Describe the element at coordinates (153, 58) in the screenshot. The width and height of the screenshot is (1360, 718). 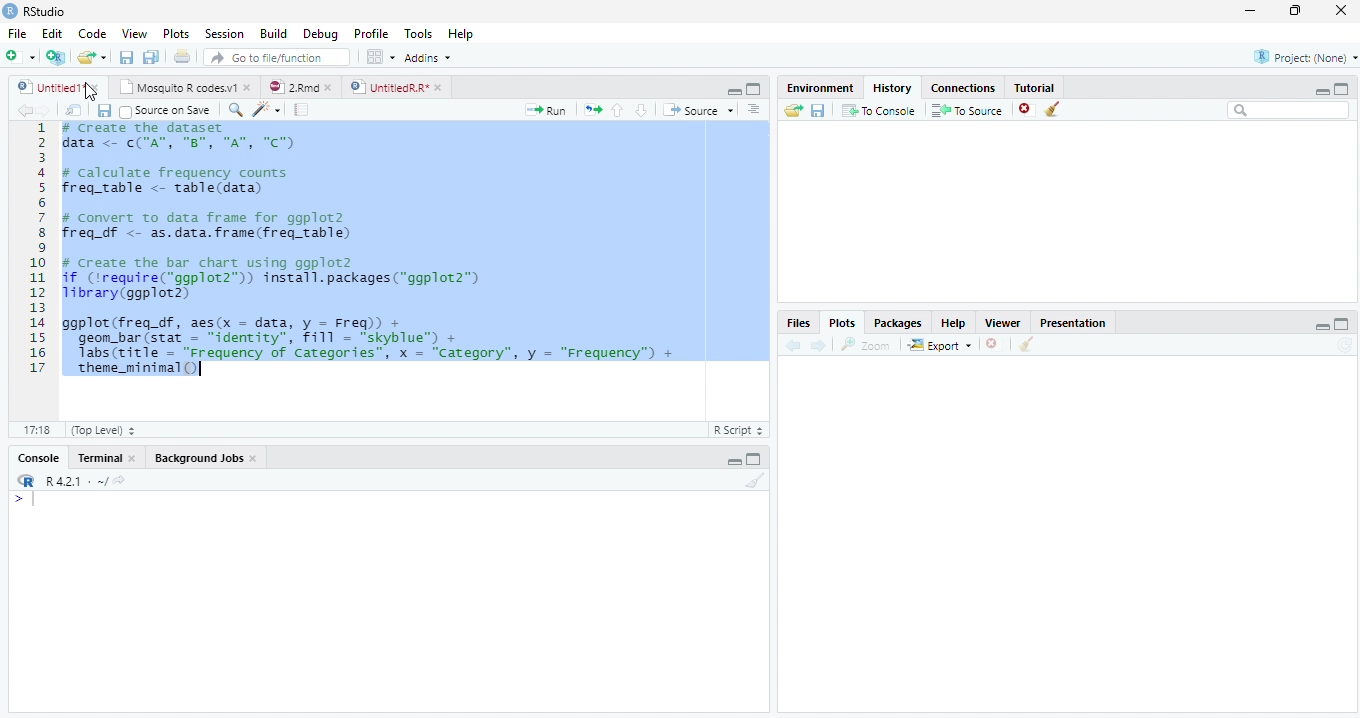
I see `Save all` at that location.